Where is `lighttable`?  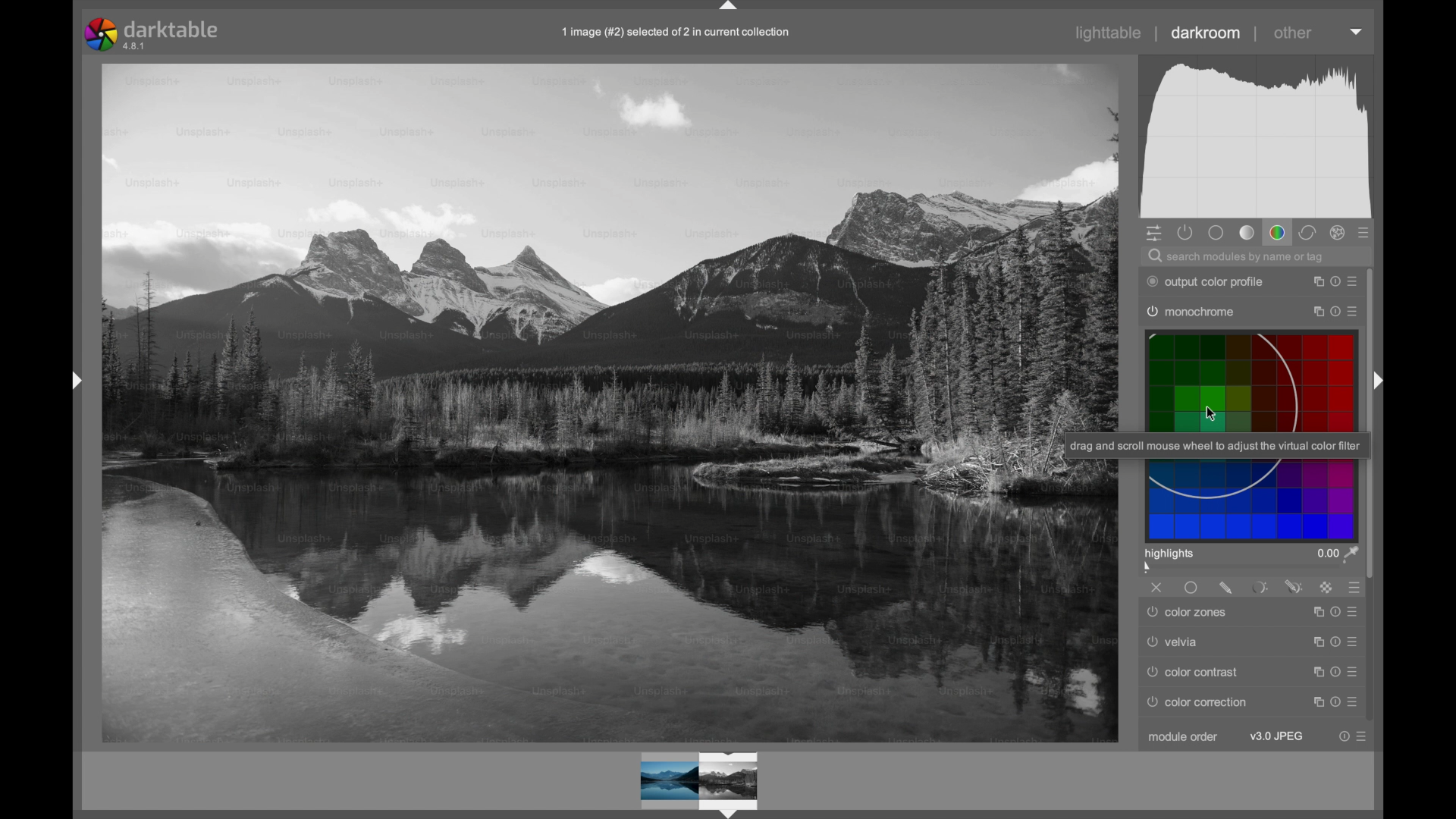
lighttable is located at coordinates (1107, 33).